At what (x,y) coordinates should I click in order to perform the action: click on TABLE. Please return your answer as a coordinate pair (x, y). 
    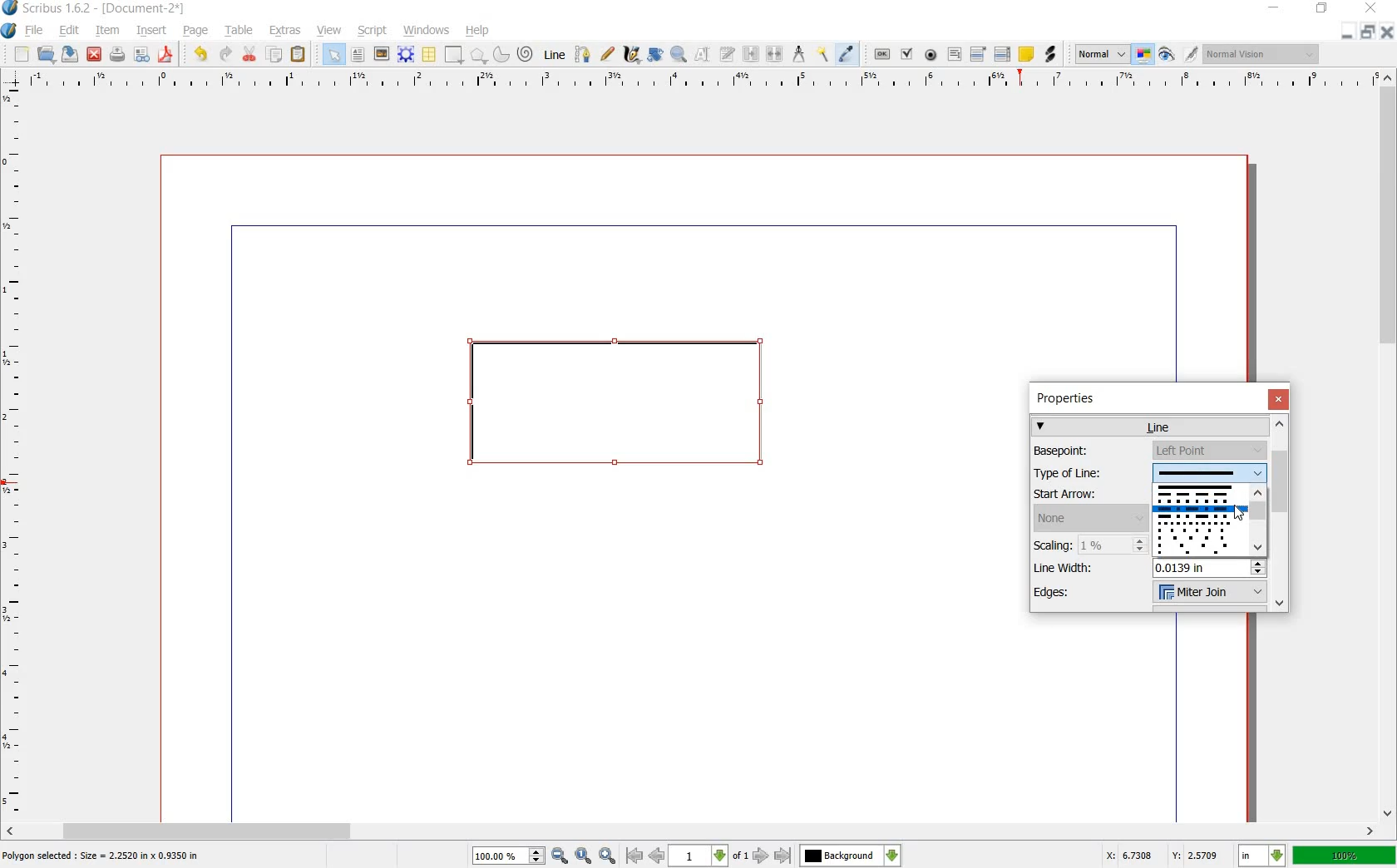
    Looking at the image, I should click on (430, 55).